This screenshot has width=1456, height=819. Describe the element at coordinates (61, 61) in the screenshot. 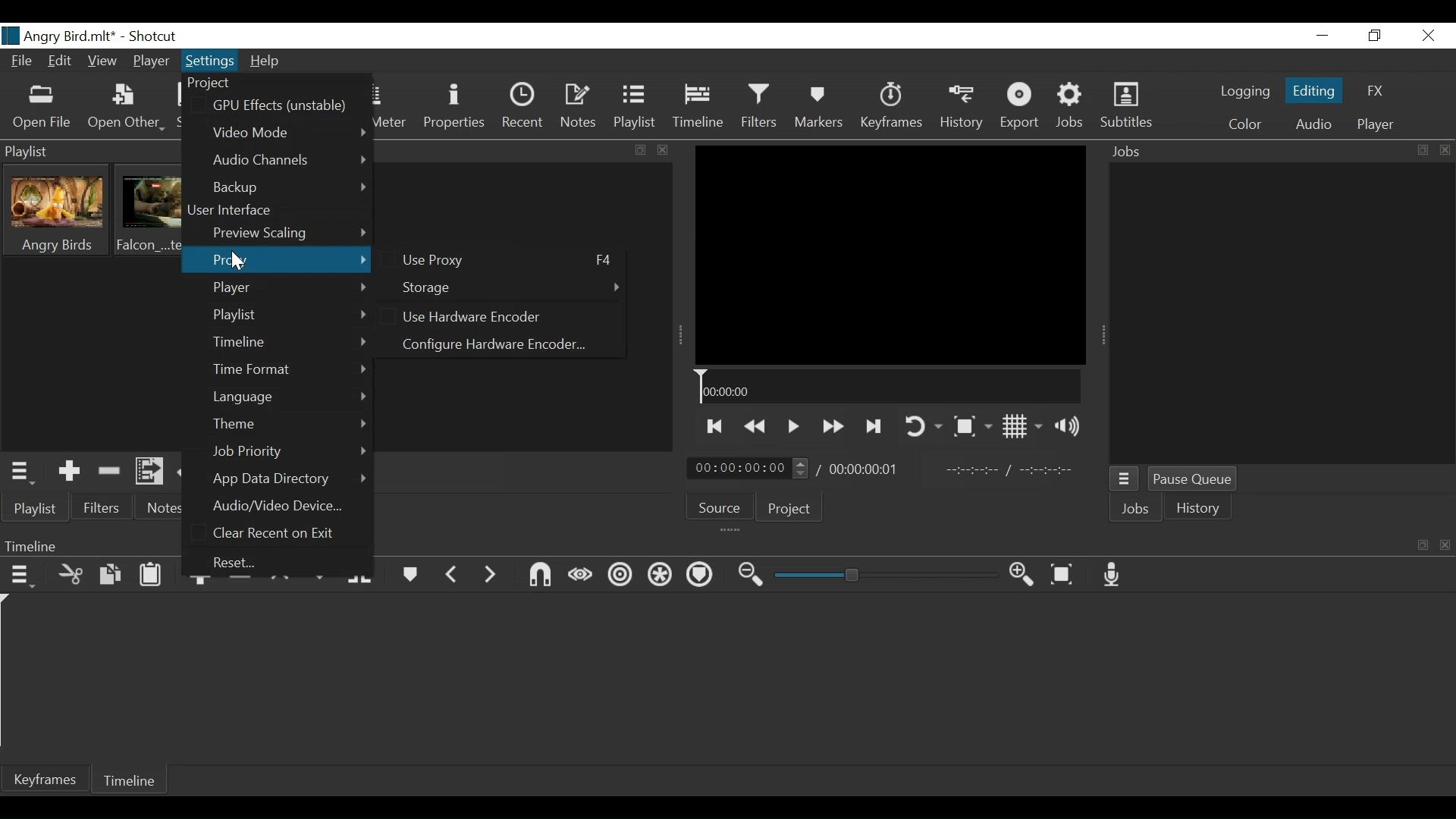

I see `Edit` at that location.